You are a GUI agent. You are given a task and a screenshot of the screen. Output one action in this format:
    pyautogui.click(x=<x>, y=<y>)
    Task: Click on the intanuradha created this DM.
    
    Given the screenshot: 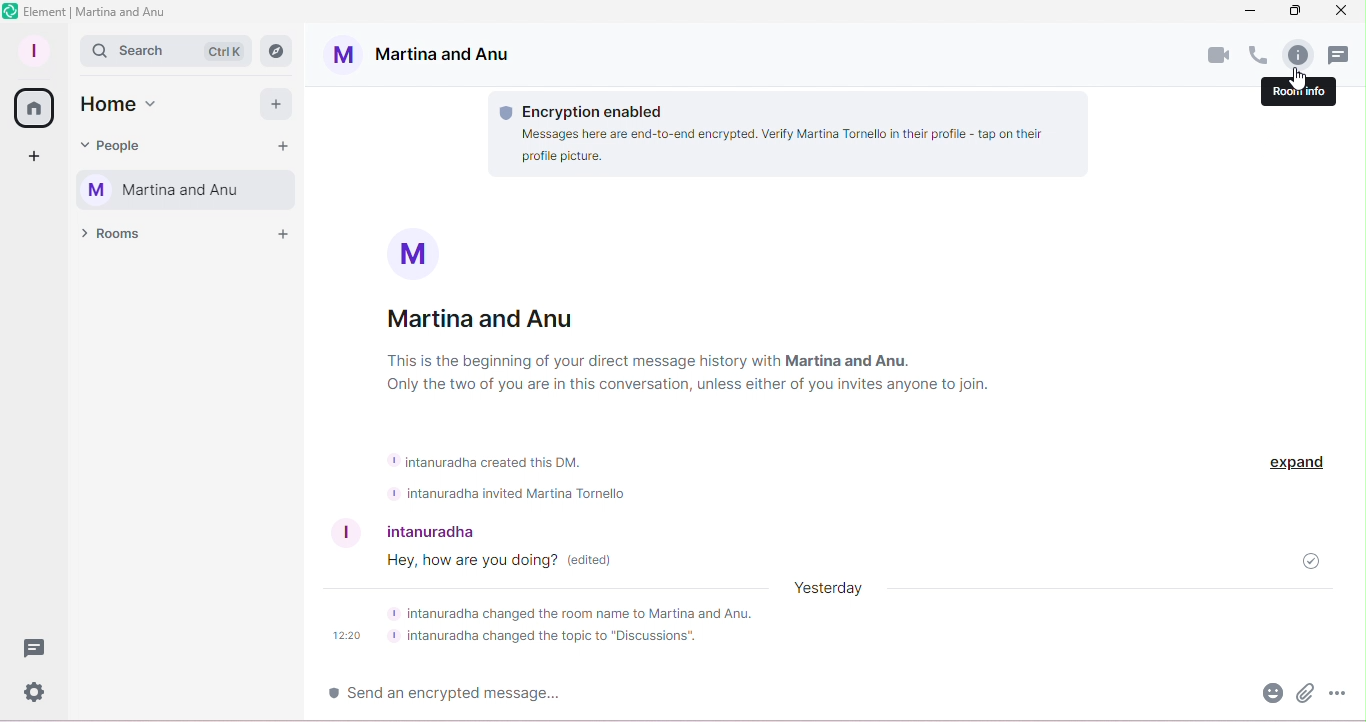 What is the action you would take?
    pyautogui.click(x=488, y=460)
    